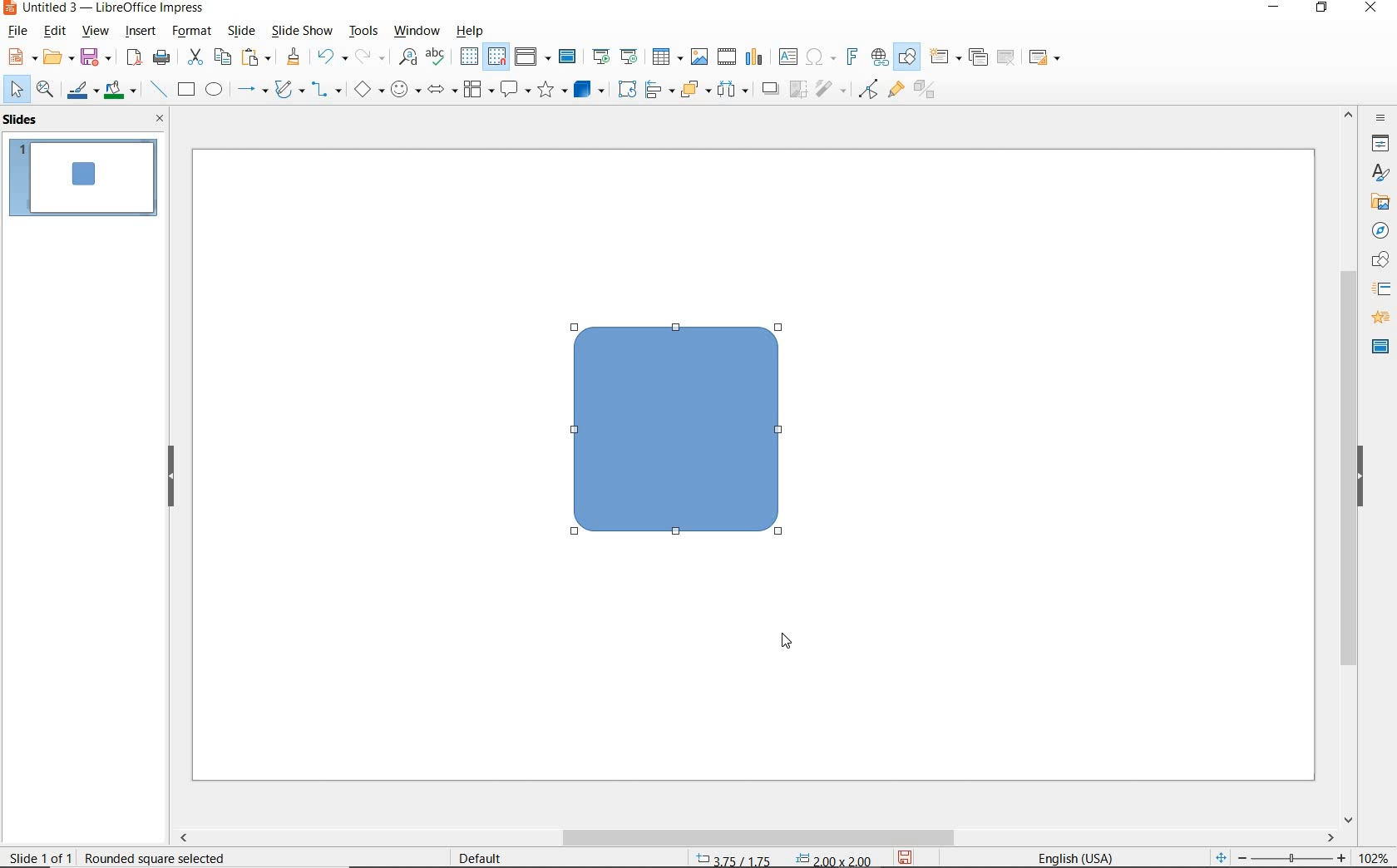  Describe the element at coordinates (484, 857) in the screenshot. I see `default` at that location.